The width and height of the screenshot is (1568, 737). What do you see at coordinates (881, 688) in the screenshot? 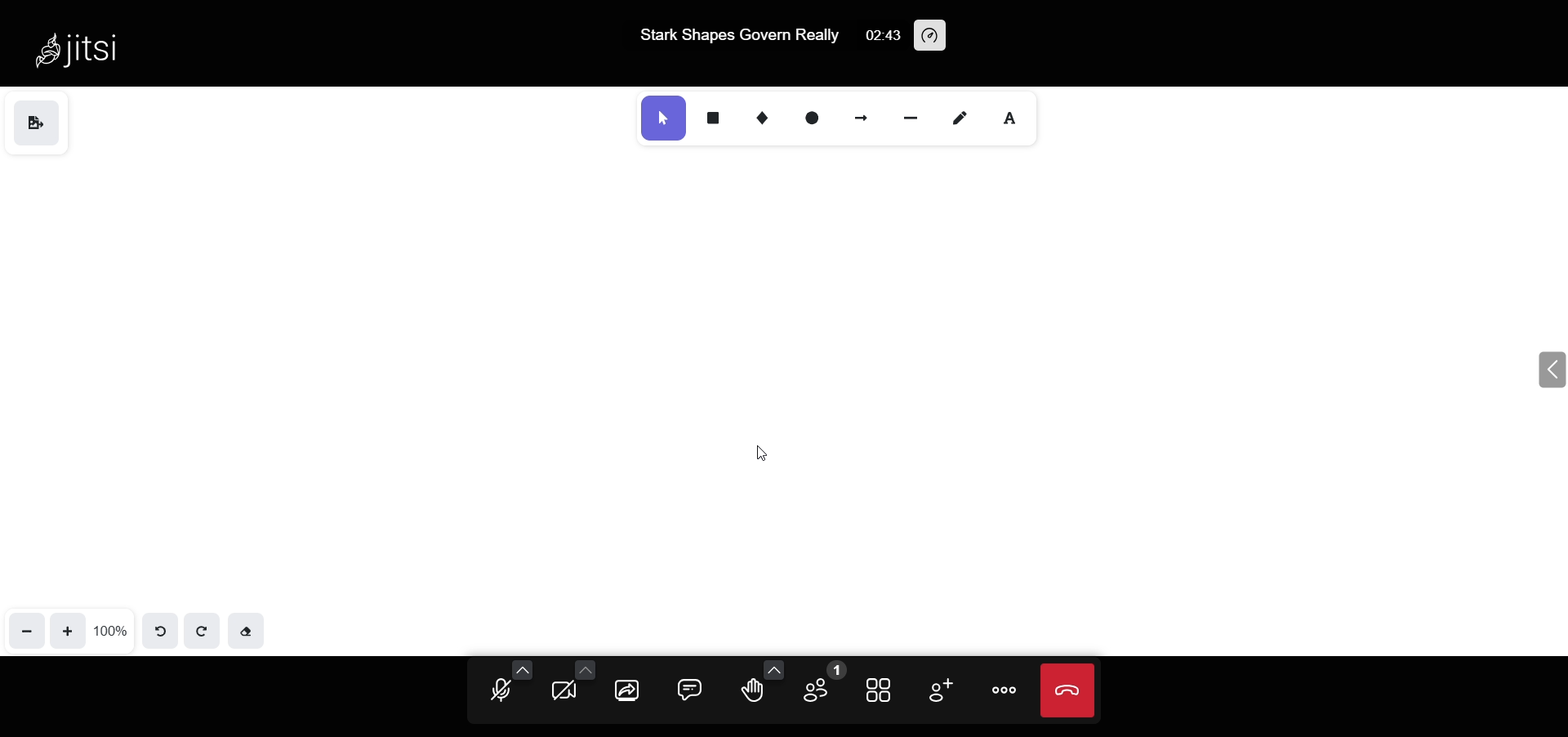
I see `tile view` at bounding box center [881, 688].